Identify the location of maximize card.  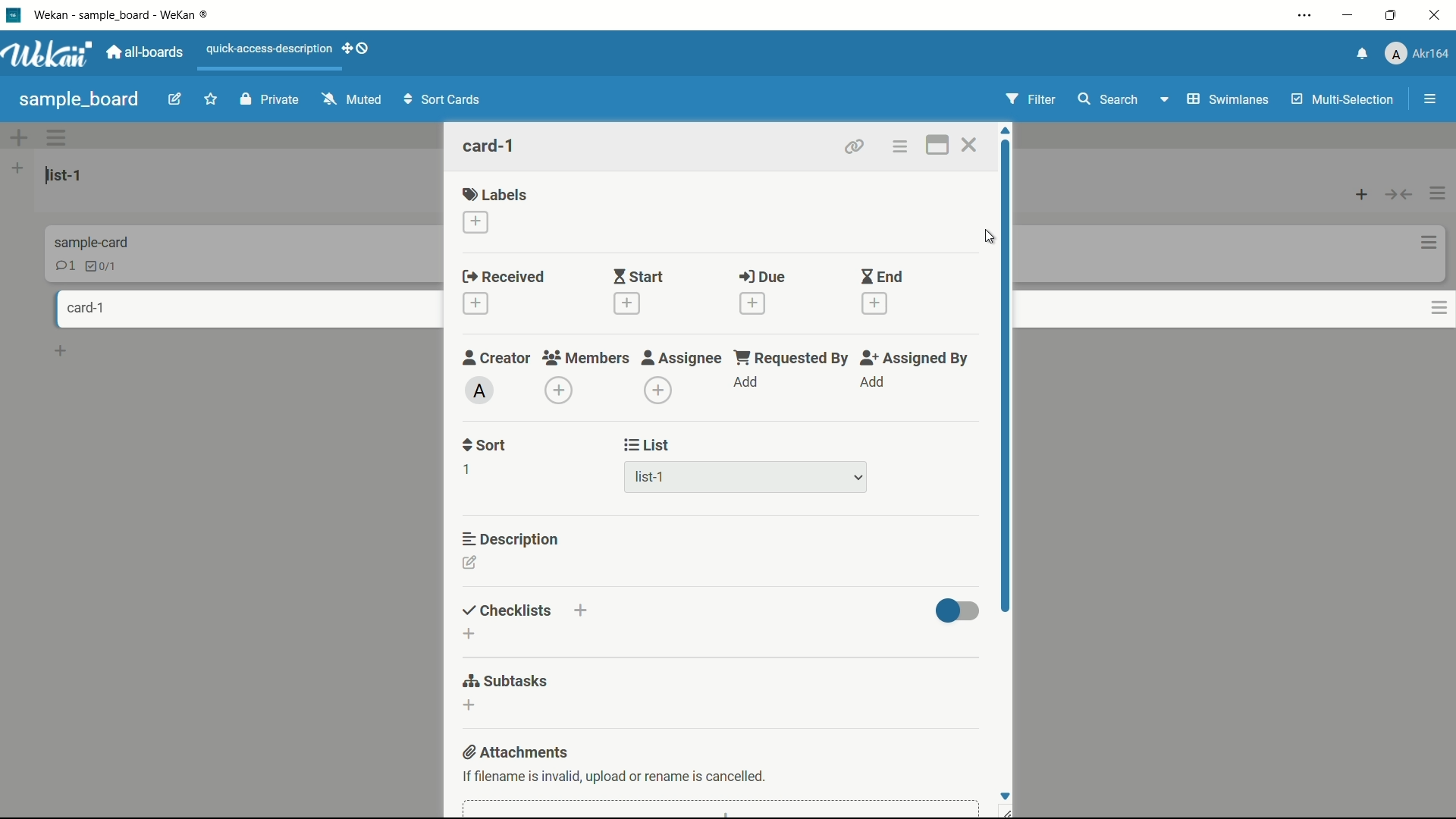
(938, 144).